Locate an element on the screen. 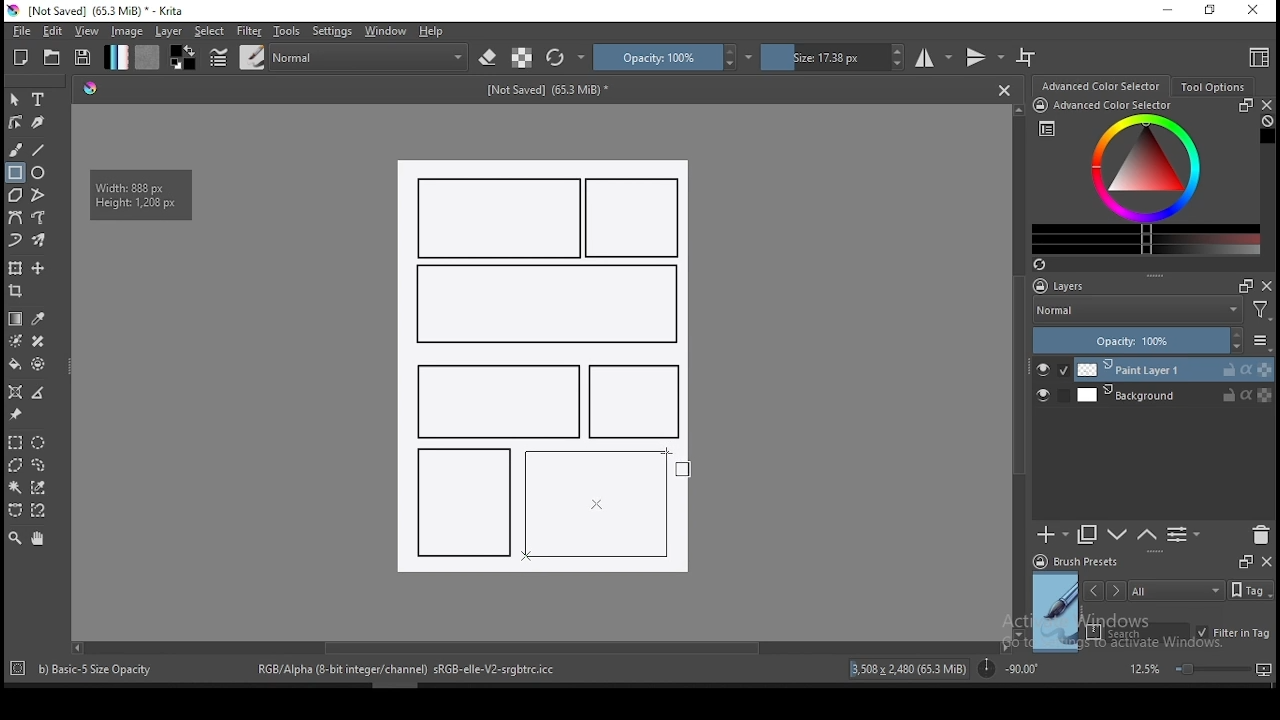  Refresh is located at coordinates (1047, 266).